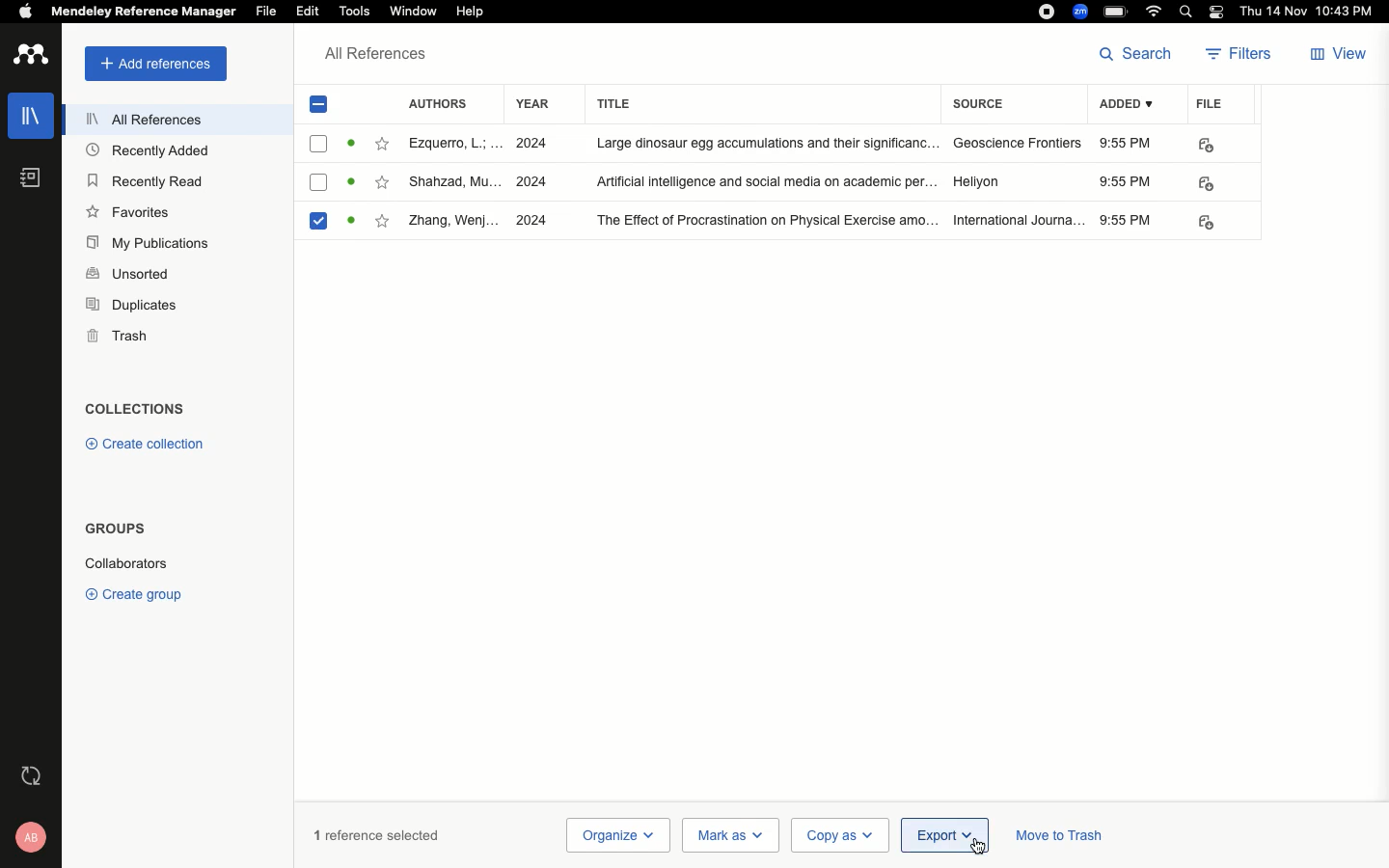  Describe the element at coordinates (143, 179) in the screenshot. I see `Recently read` at that location.